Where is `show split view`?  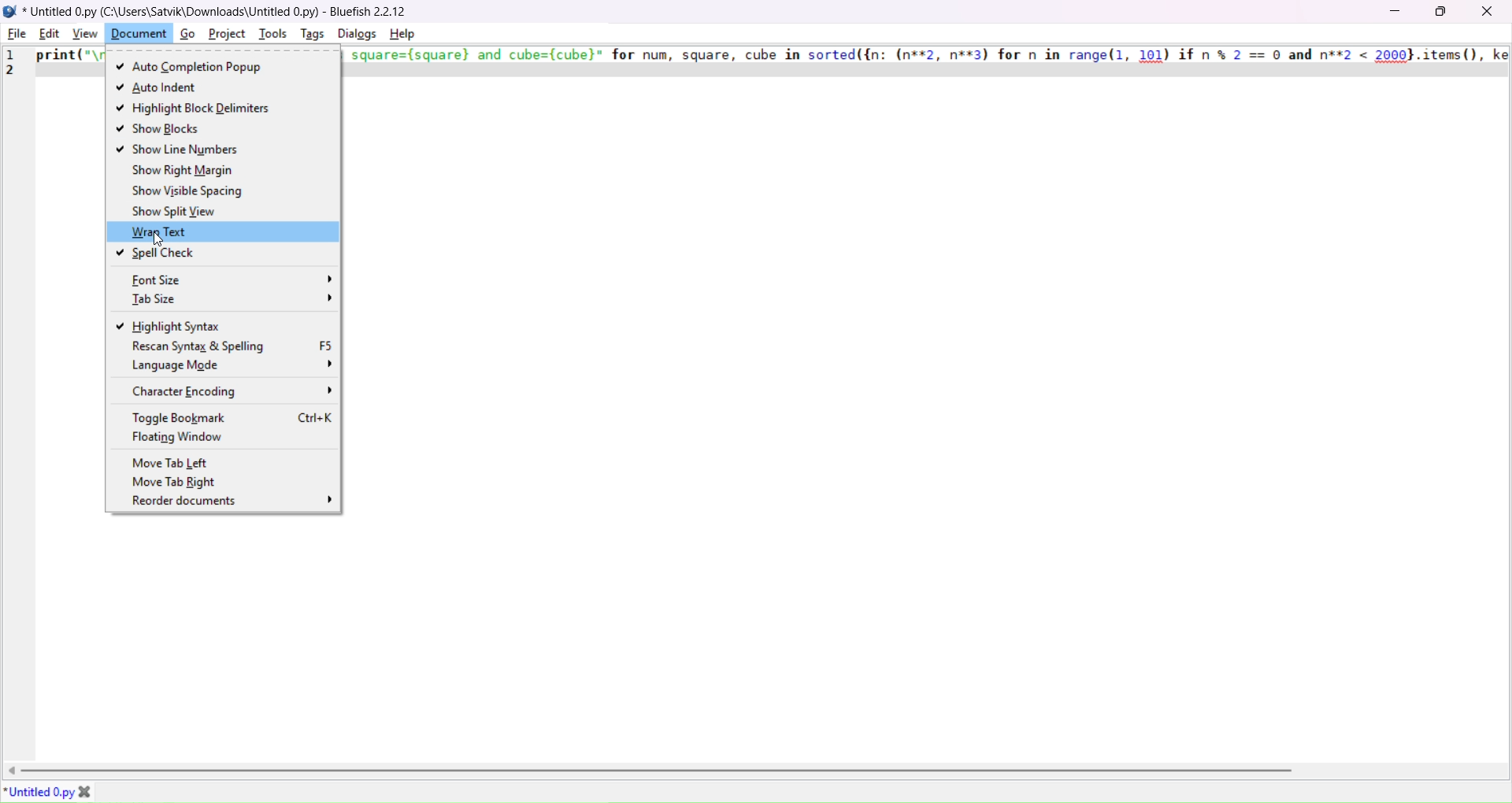
show split view is located at coordinates (172, 211).